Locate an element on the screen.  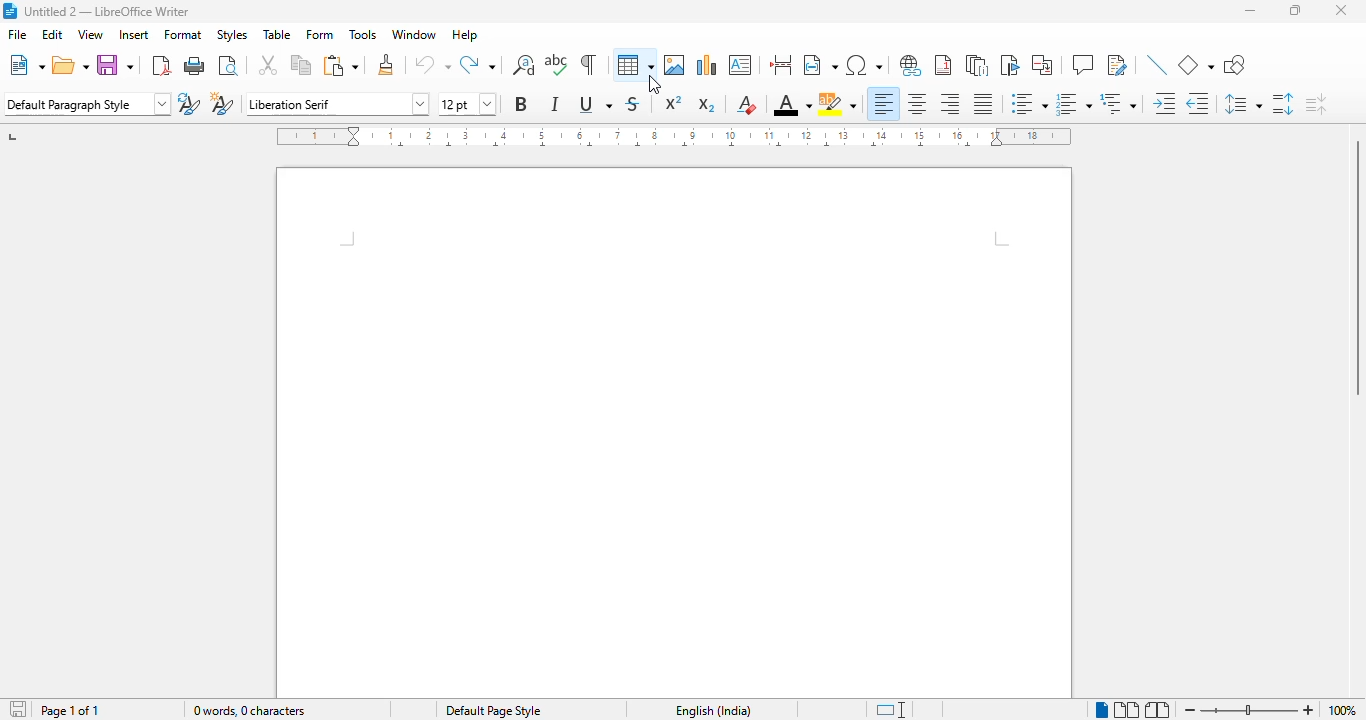
decrease indent is located at coordinates (1199, 103).